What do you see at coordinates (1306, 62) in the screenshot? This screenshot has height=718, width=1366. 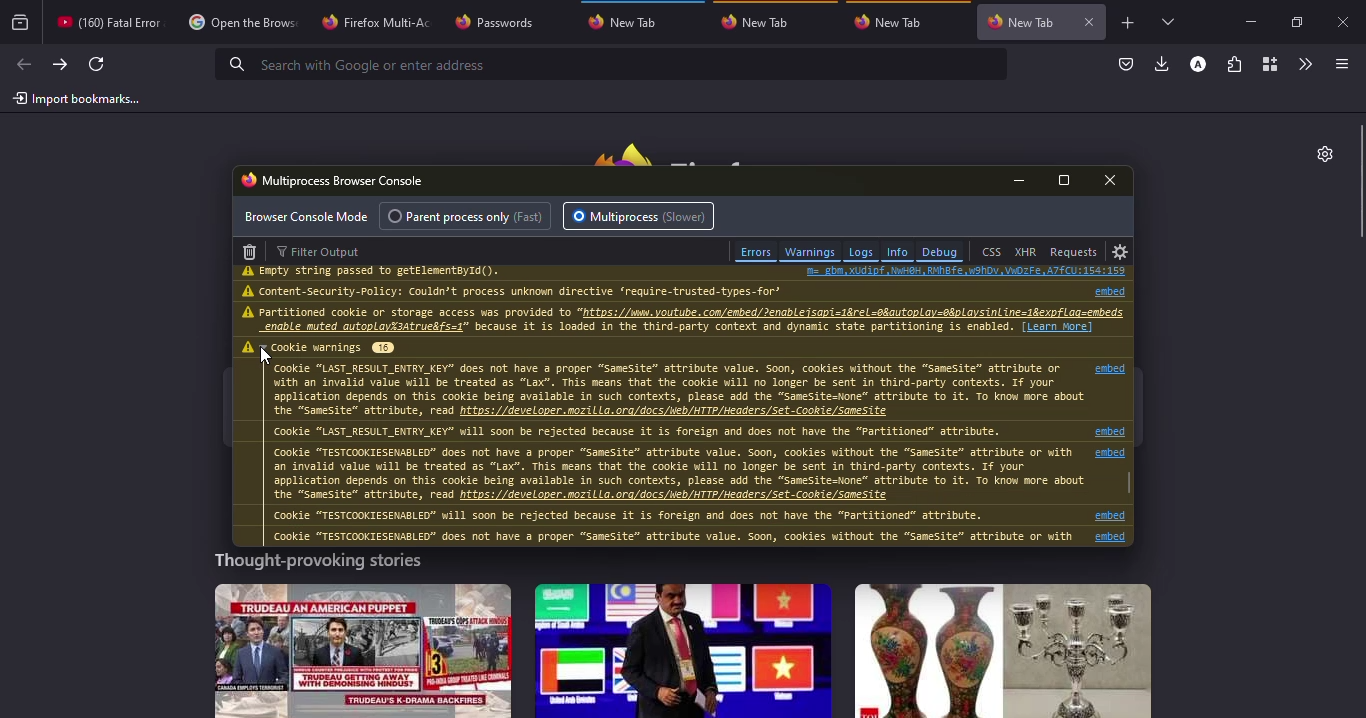 I see `more tools` at bounding box center [1306, 62].